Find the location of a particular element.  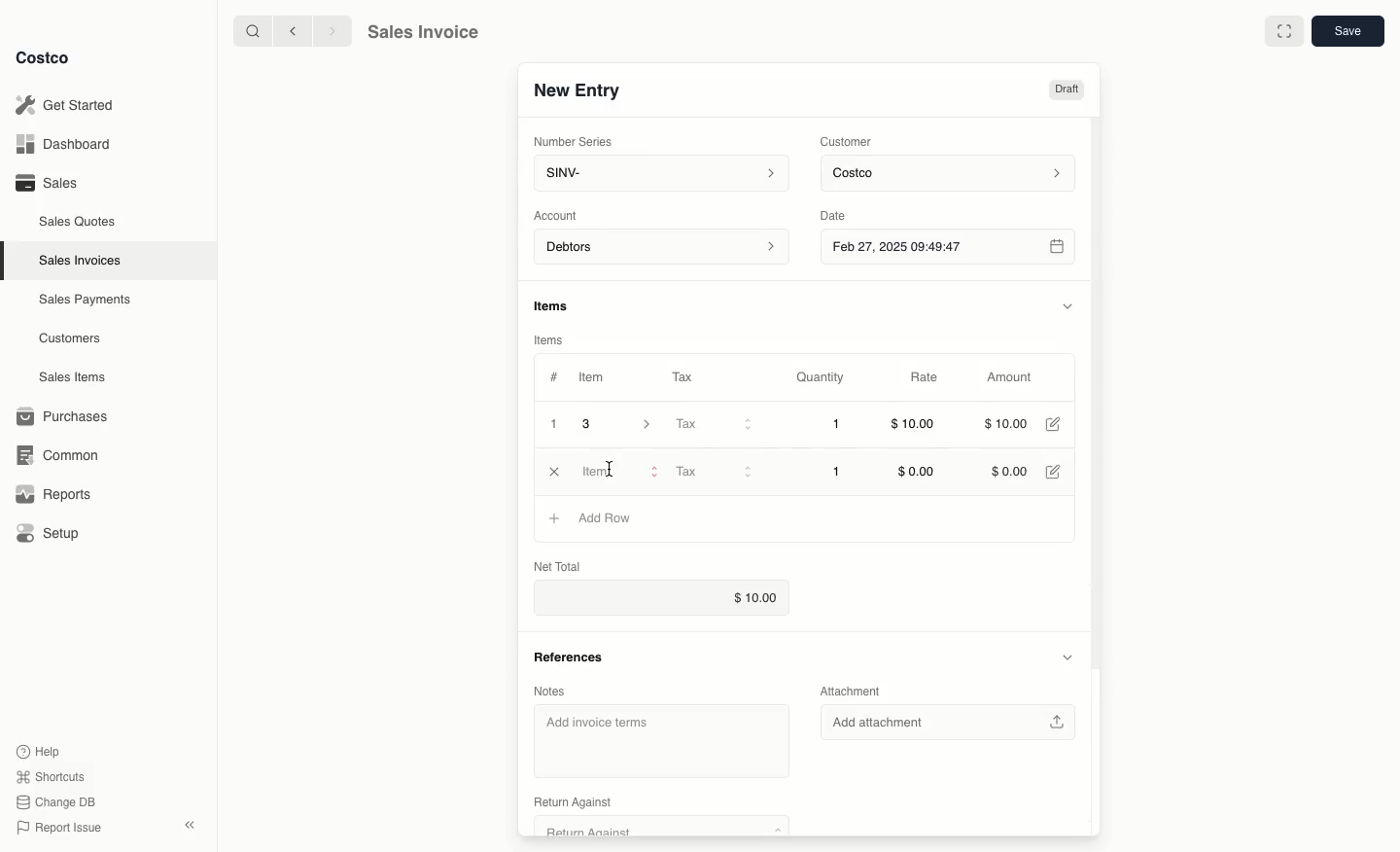

Tax is located at coordinates (687, 376).